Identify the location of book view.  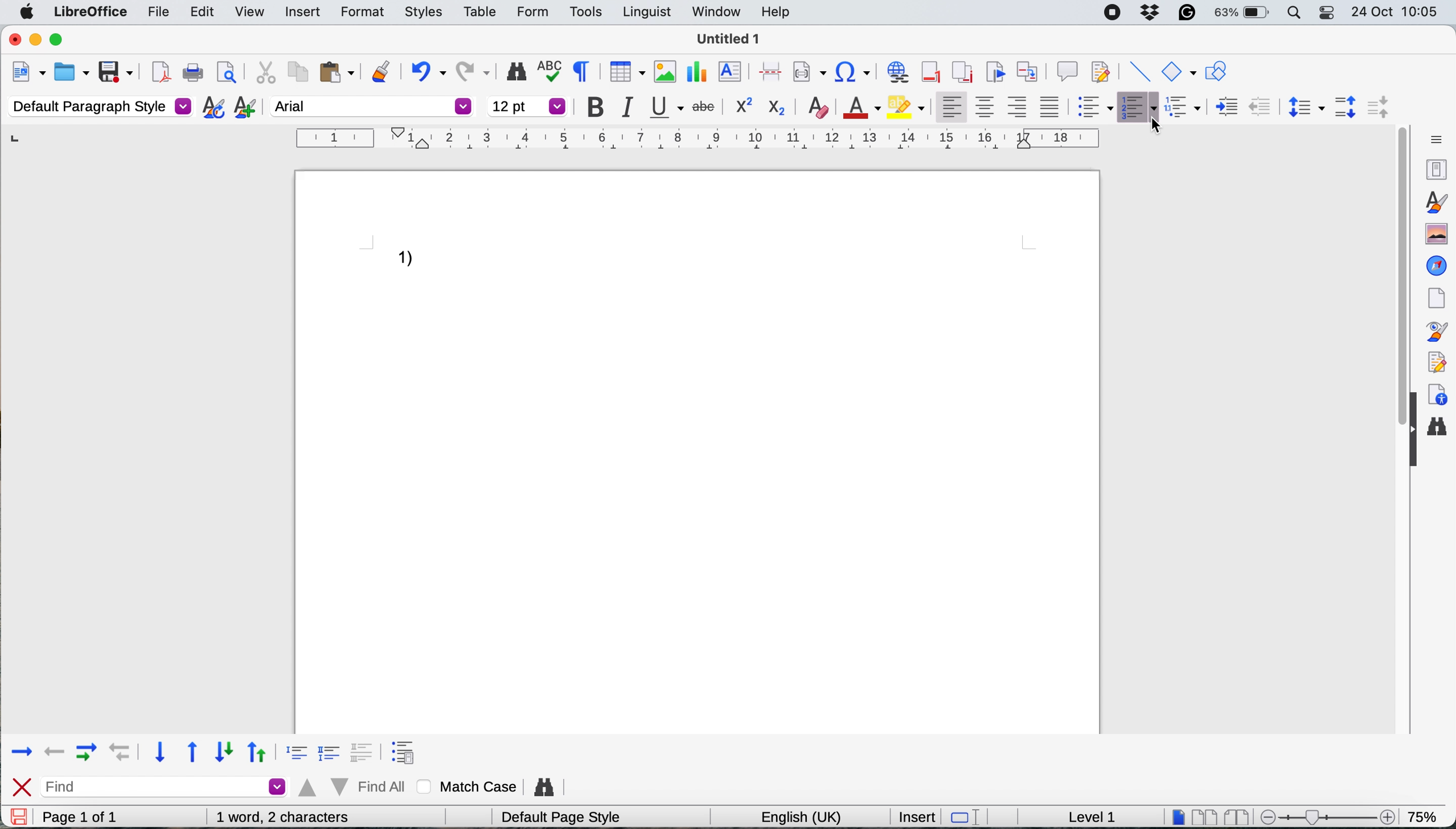
(1239, 818).